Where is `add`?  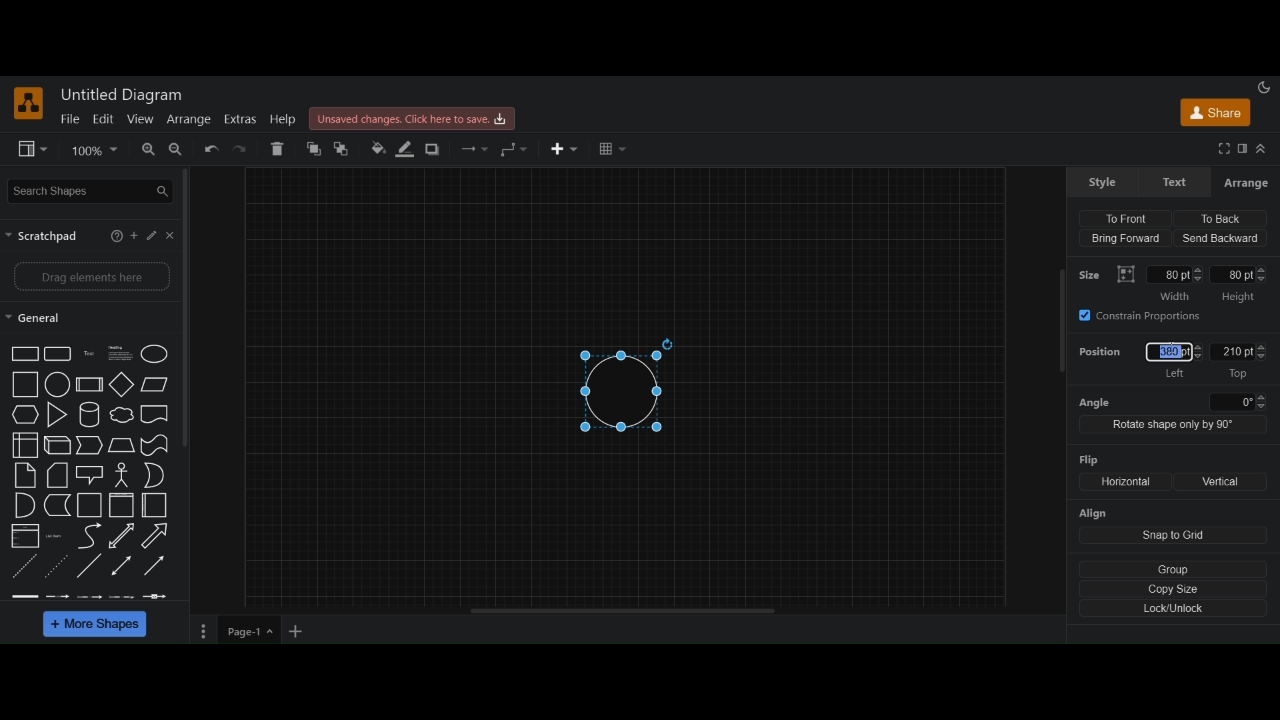 add is located at coordinates (136, 237).